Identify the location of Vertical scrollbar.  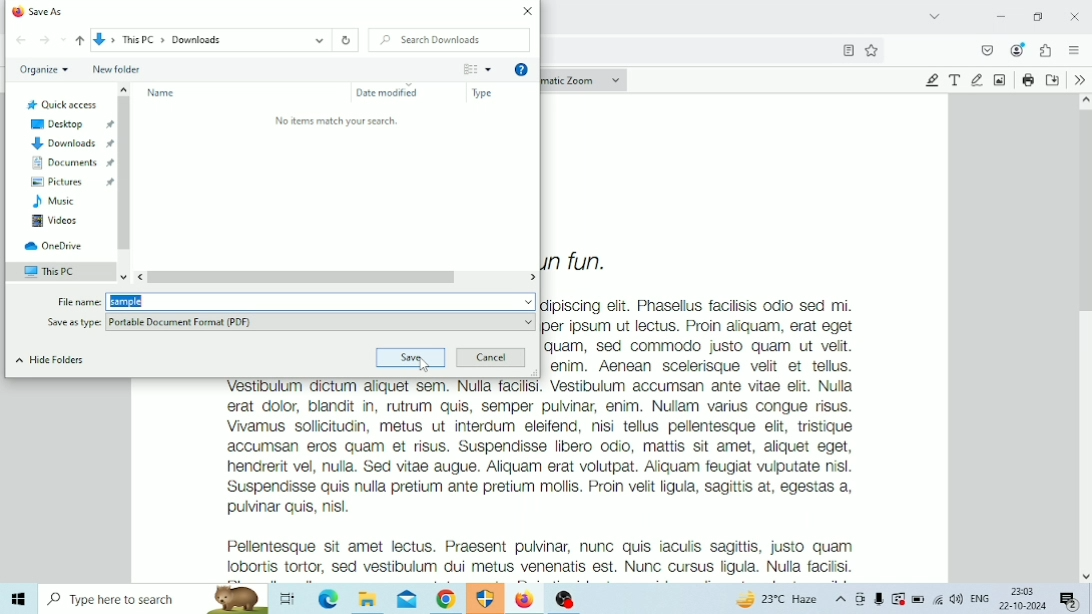
(1085, 212).